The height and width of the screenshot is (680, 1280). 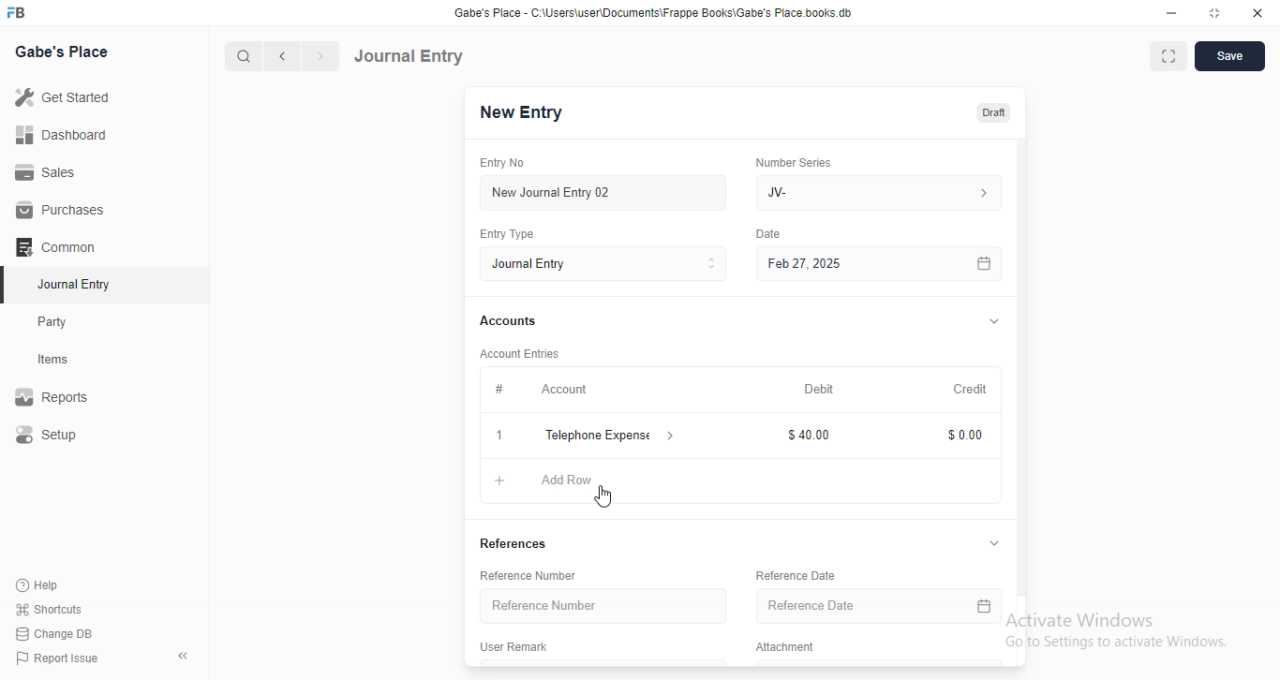 I want to click on Accounts, so click(x=507, y=321).